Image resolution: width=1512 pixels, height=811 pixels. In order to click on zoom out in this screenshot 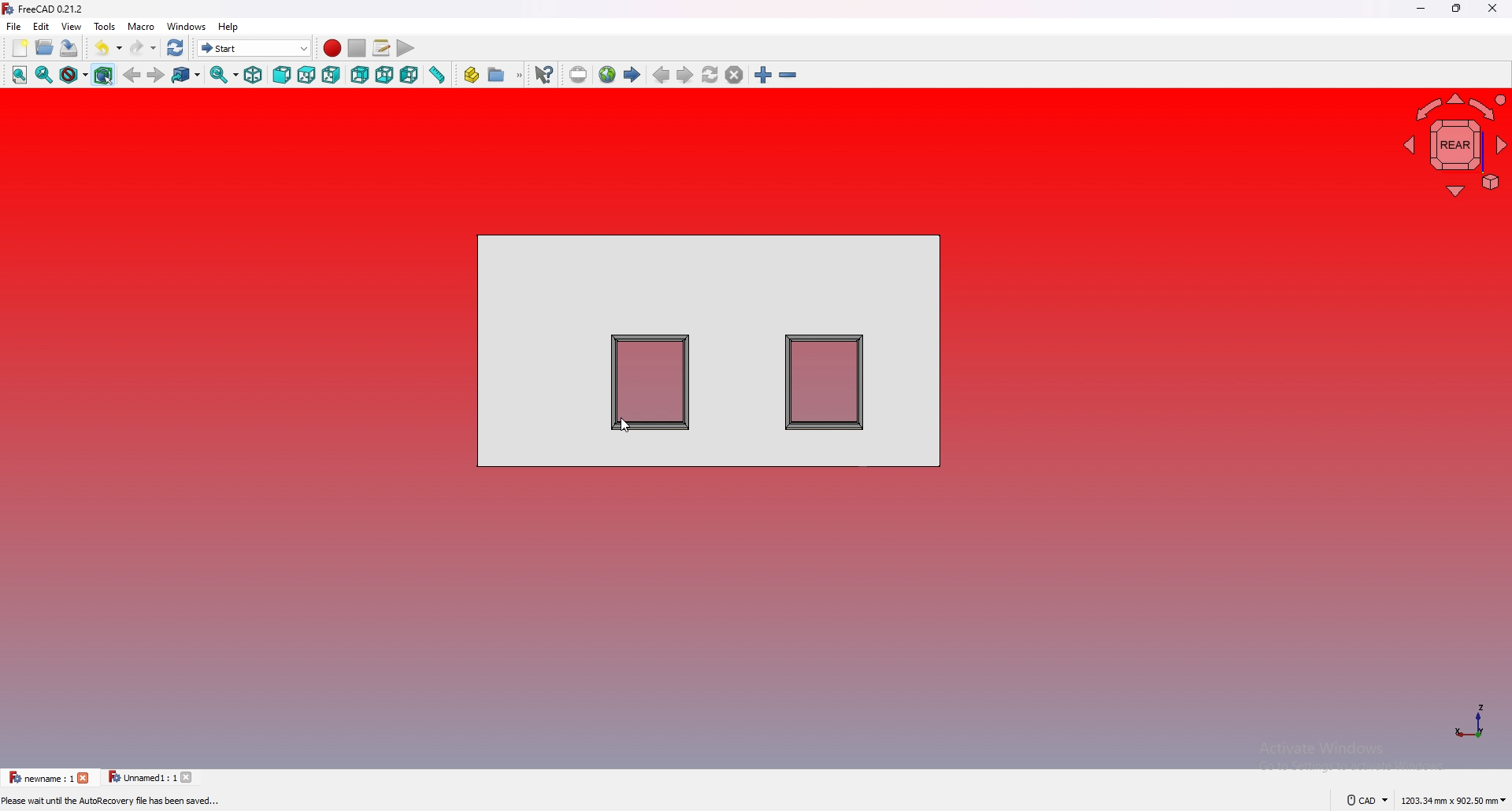, I will do `click(788, 75)`.